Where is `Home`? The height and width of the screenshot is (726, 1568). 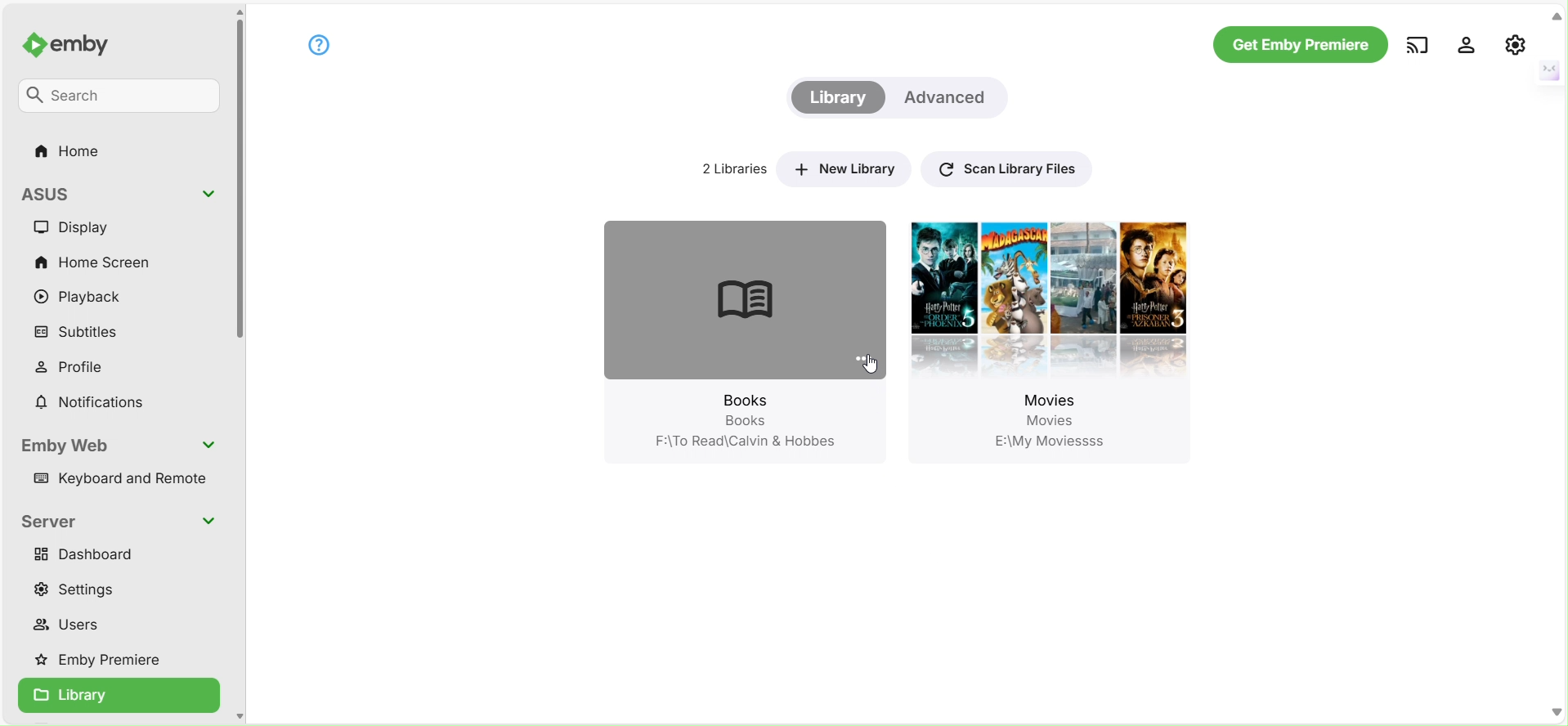
Home is located at coordinates (71, 152).